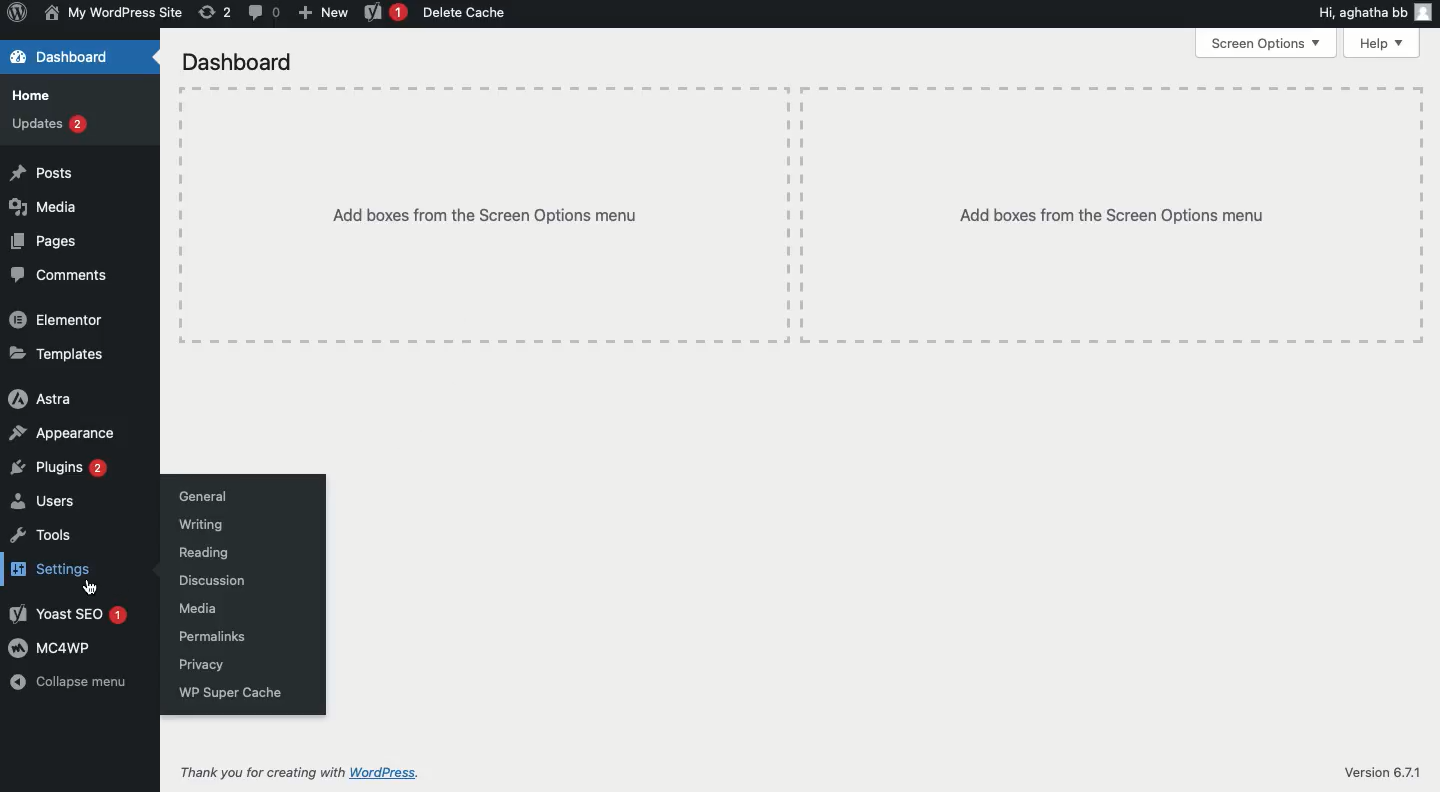 The height and width of the screenshot is (792, 1440). I want to click on Thank you for creating with, so click(253, 767).